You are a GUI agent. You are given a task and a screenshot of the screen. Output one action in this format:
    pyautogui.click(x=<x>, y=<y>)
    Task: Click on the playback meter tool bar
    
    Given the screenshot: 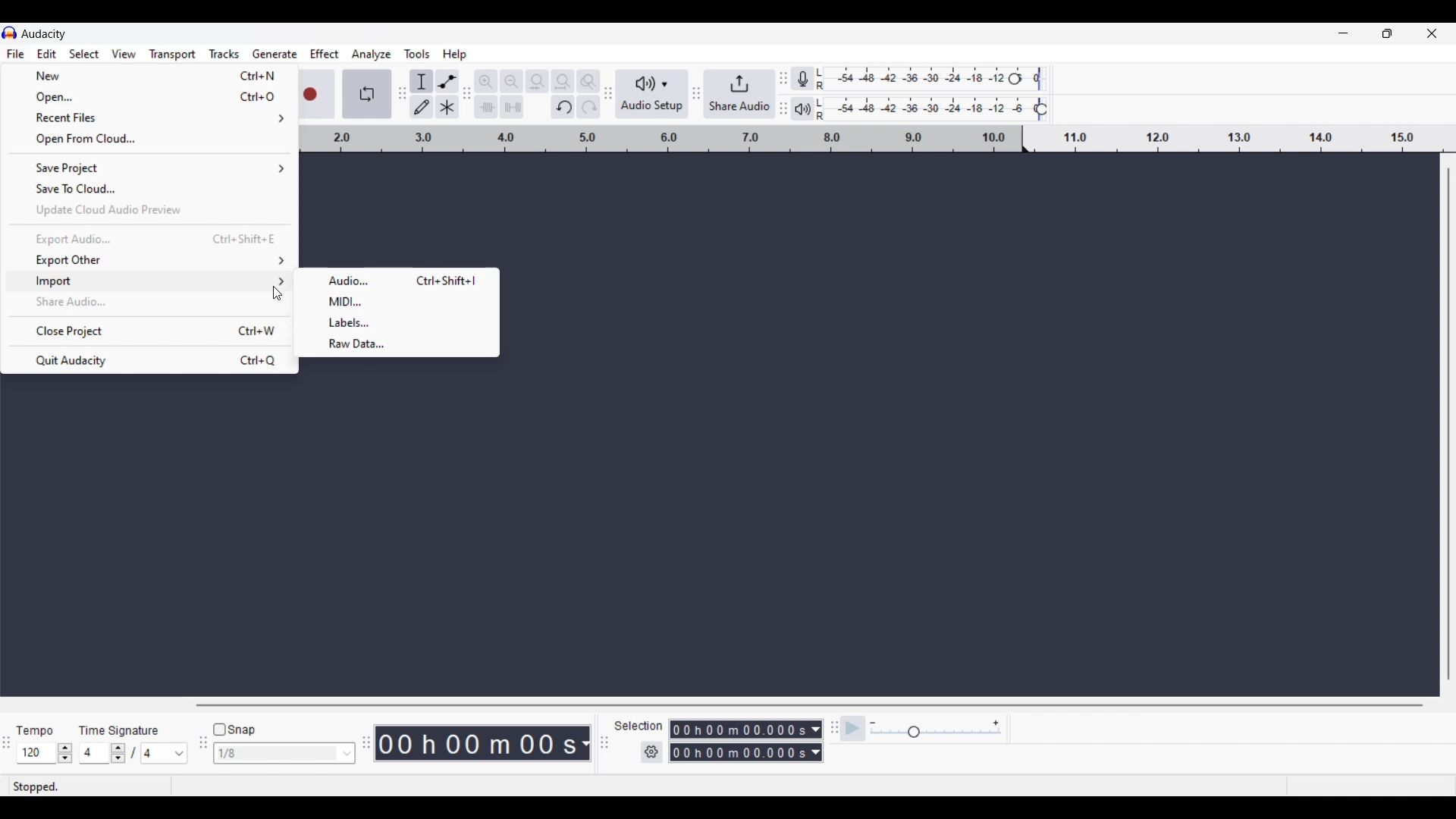 What is the action you would take?
    pyautogui.click(x=784, y=110)
    